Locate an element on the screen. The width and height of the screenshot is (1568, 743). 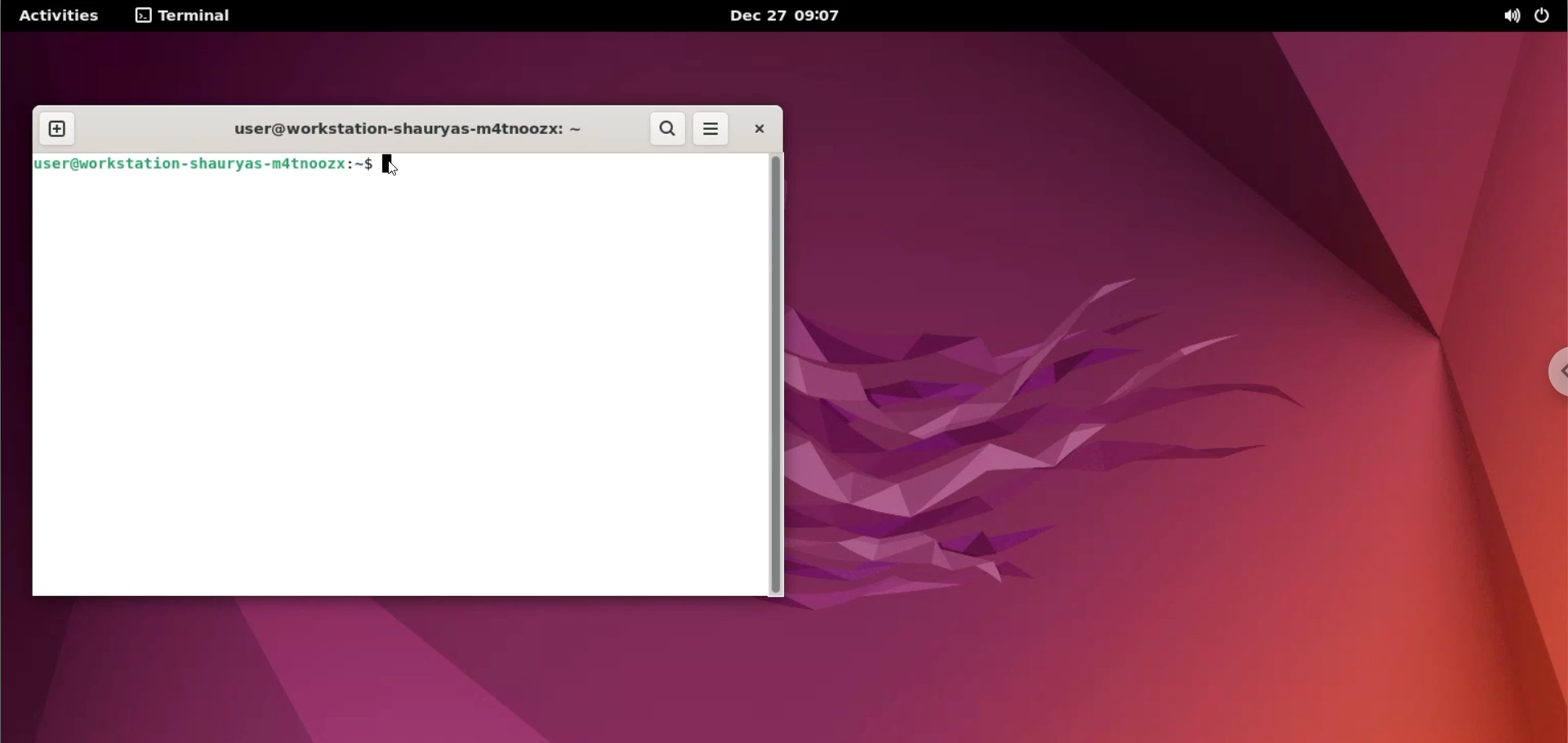
more options is located at coordinates (710, 128).